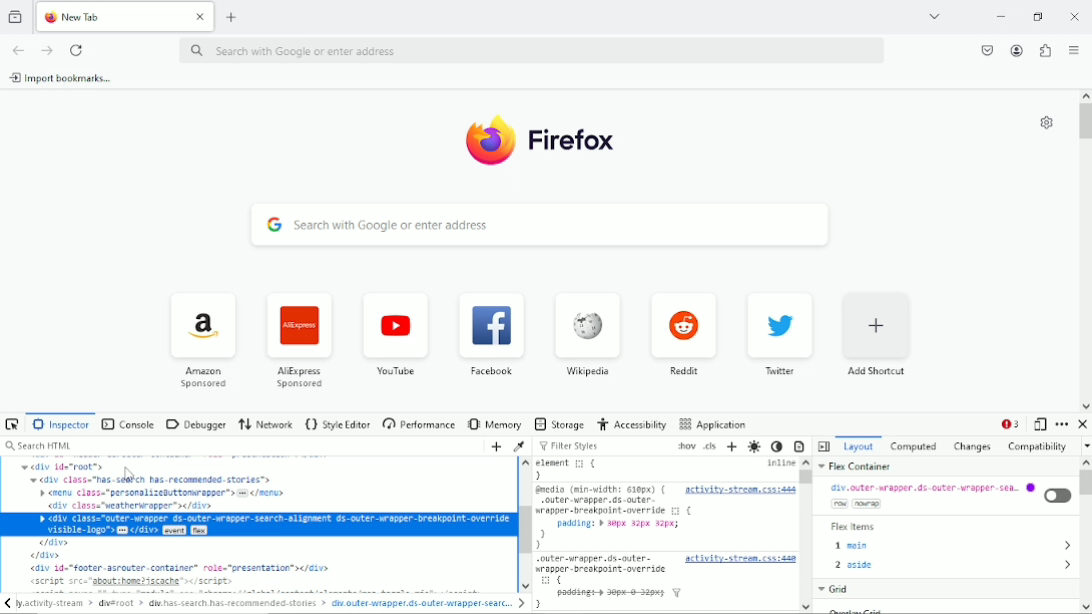  What do you see at coordinates (526, 464) in the screenshot?
I see `scroll up` at bounding box center [526, 464].